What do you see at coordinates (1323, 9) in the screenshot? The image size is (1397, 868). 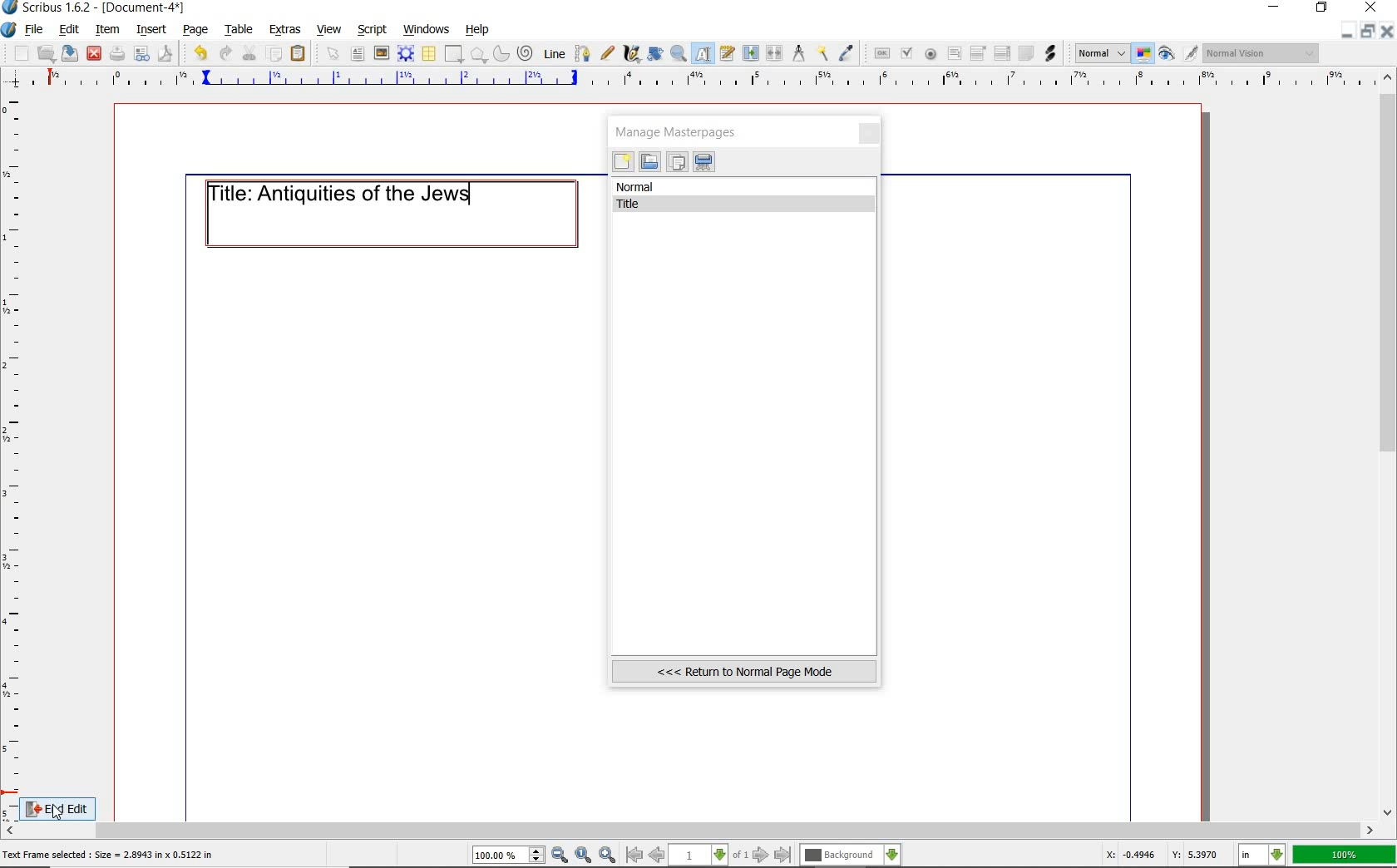 I see `restore` at bounding box center [1323, 9].